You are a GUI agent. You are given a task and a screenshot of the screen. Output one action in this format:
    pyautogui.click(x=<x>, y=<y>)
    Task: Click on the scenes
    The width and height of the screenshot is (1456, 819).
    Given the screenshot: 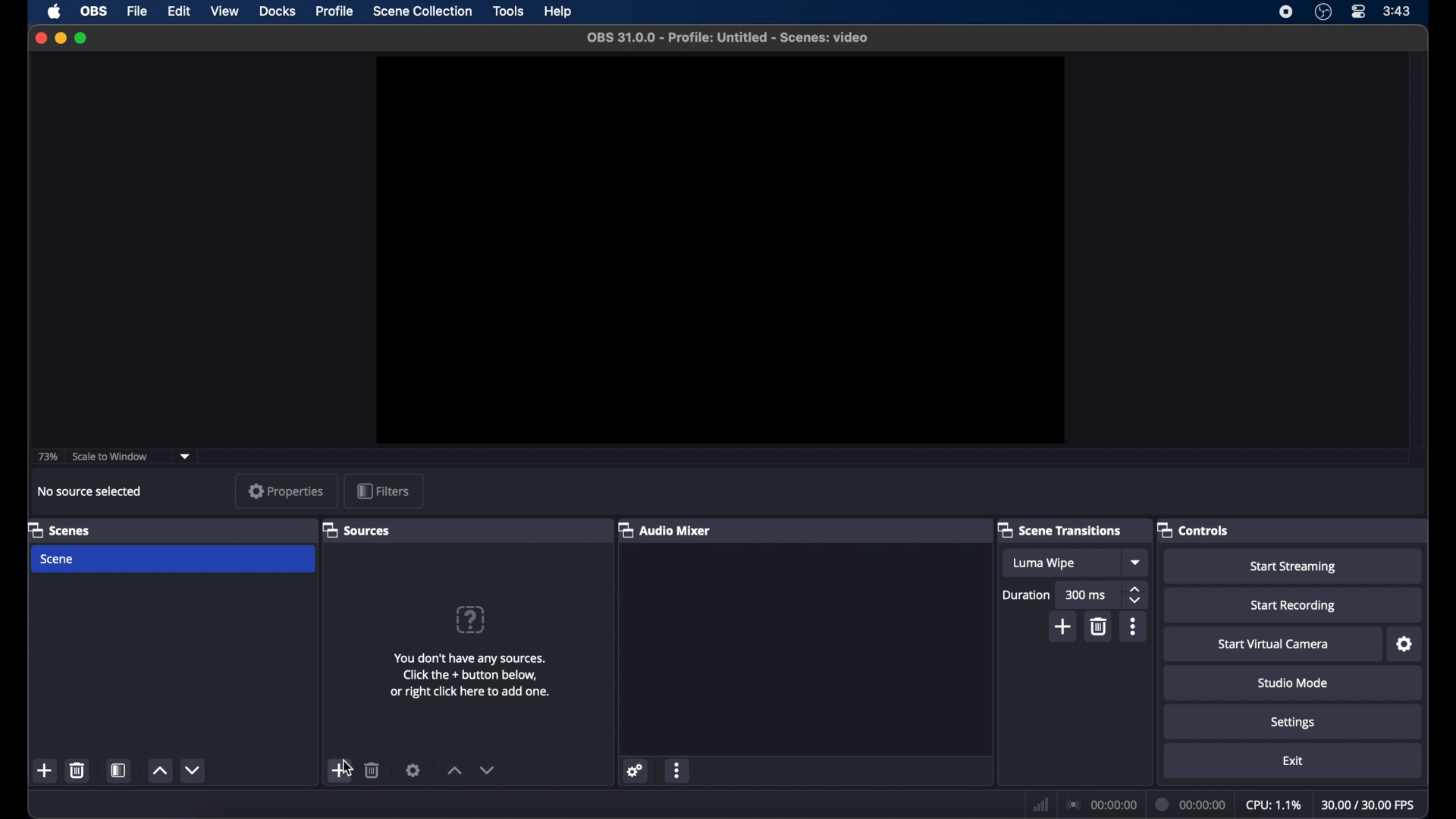 What is the action you would take?
    pyautogui.click(x=59, y=529)
    